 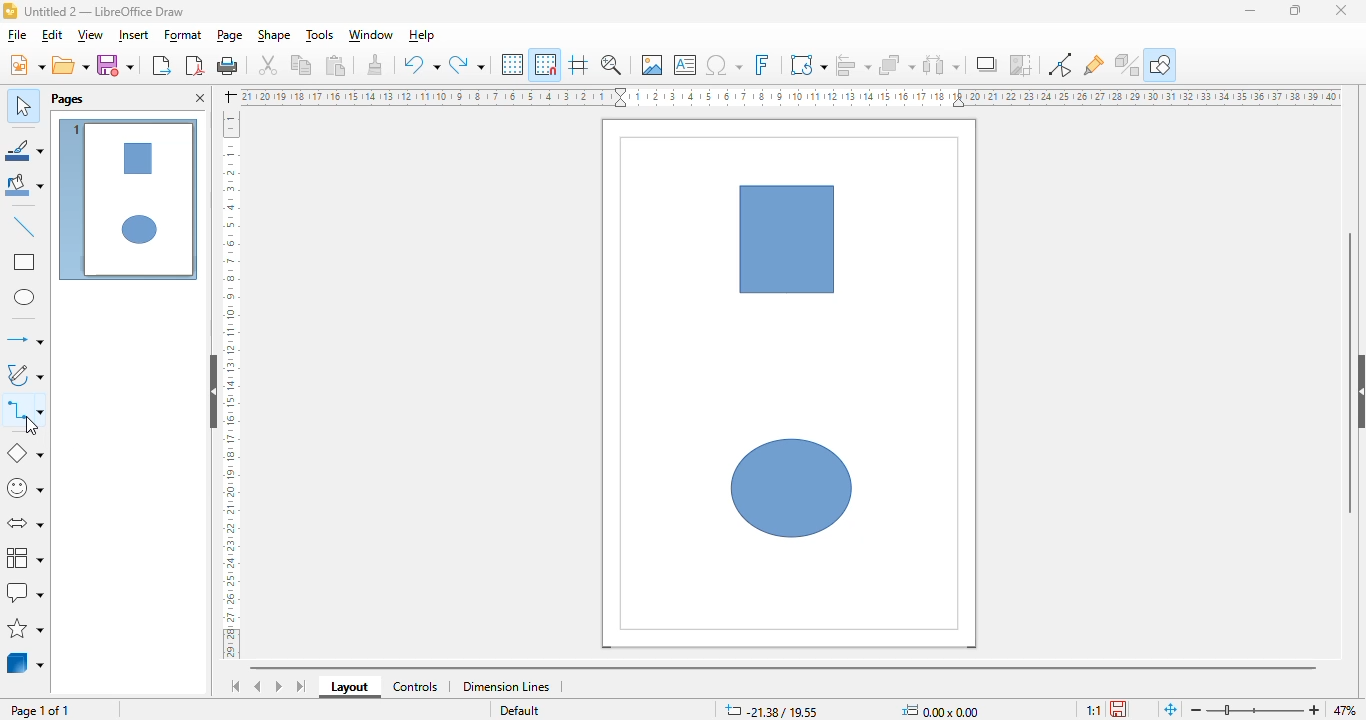 I want to click on view, so click(x=91, y=35).